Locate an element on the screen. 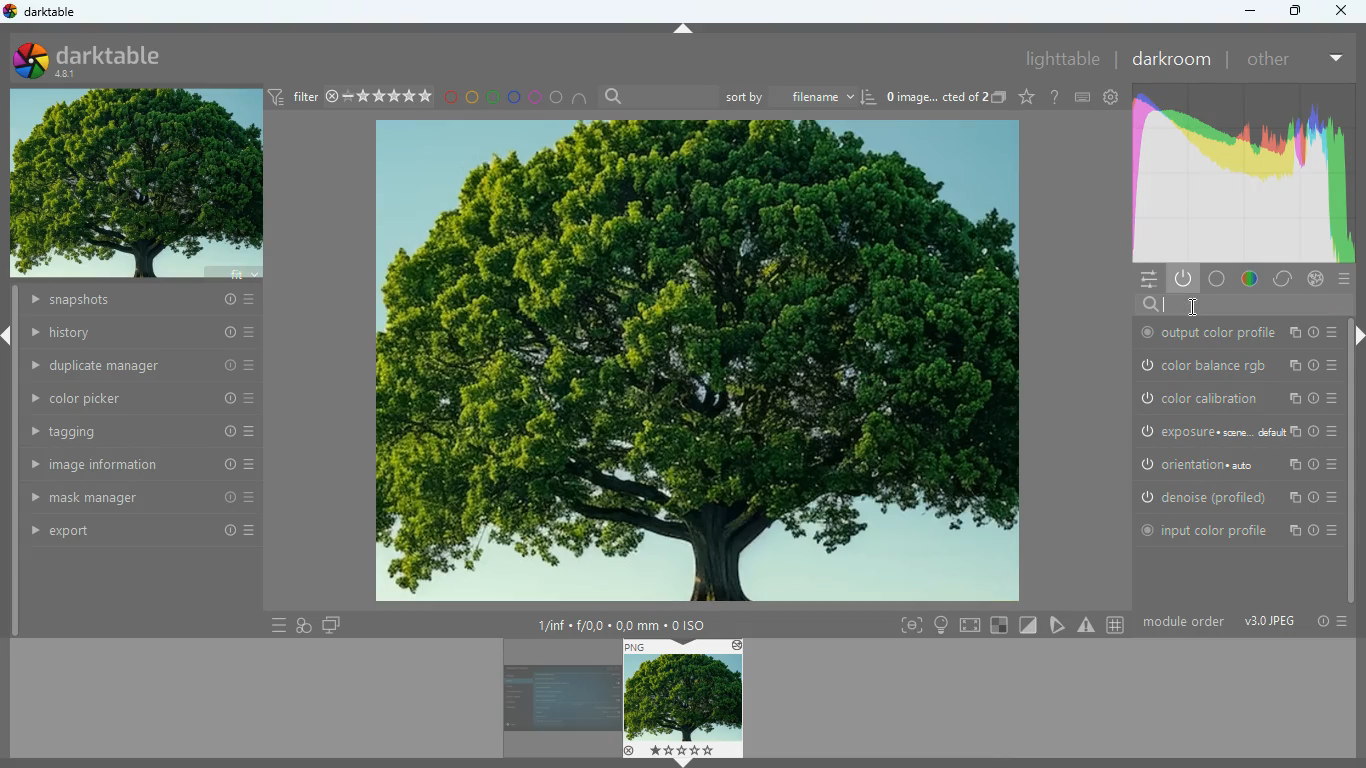 The image size is (1366, 768). diagonal is located at coordinates (1028, 626).